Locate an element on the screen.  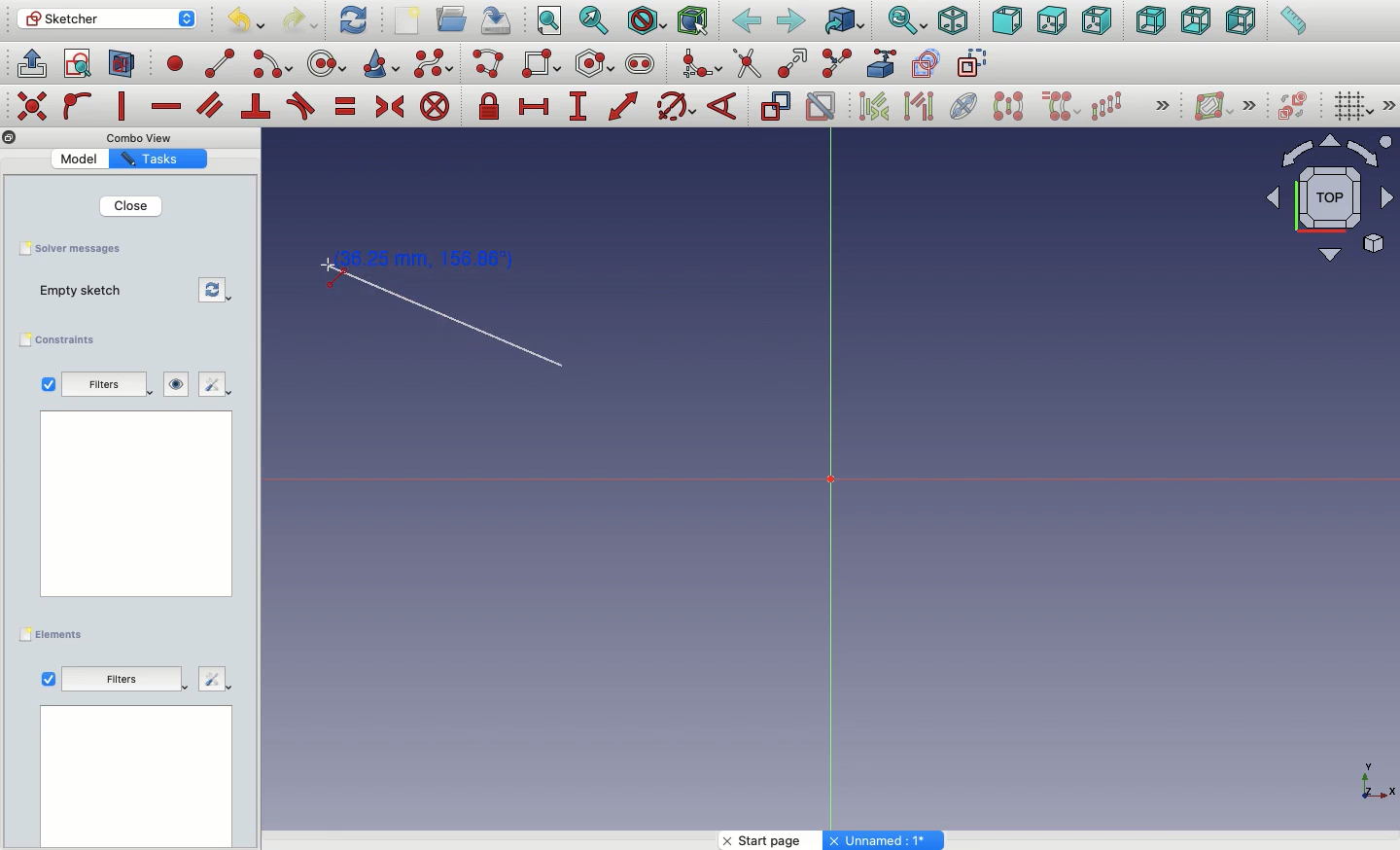
point is located at coordinates (177, 66).